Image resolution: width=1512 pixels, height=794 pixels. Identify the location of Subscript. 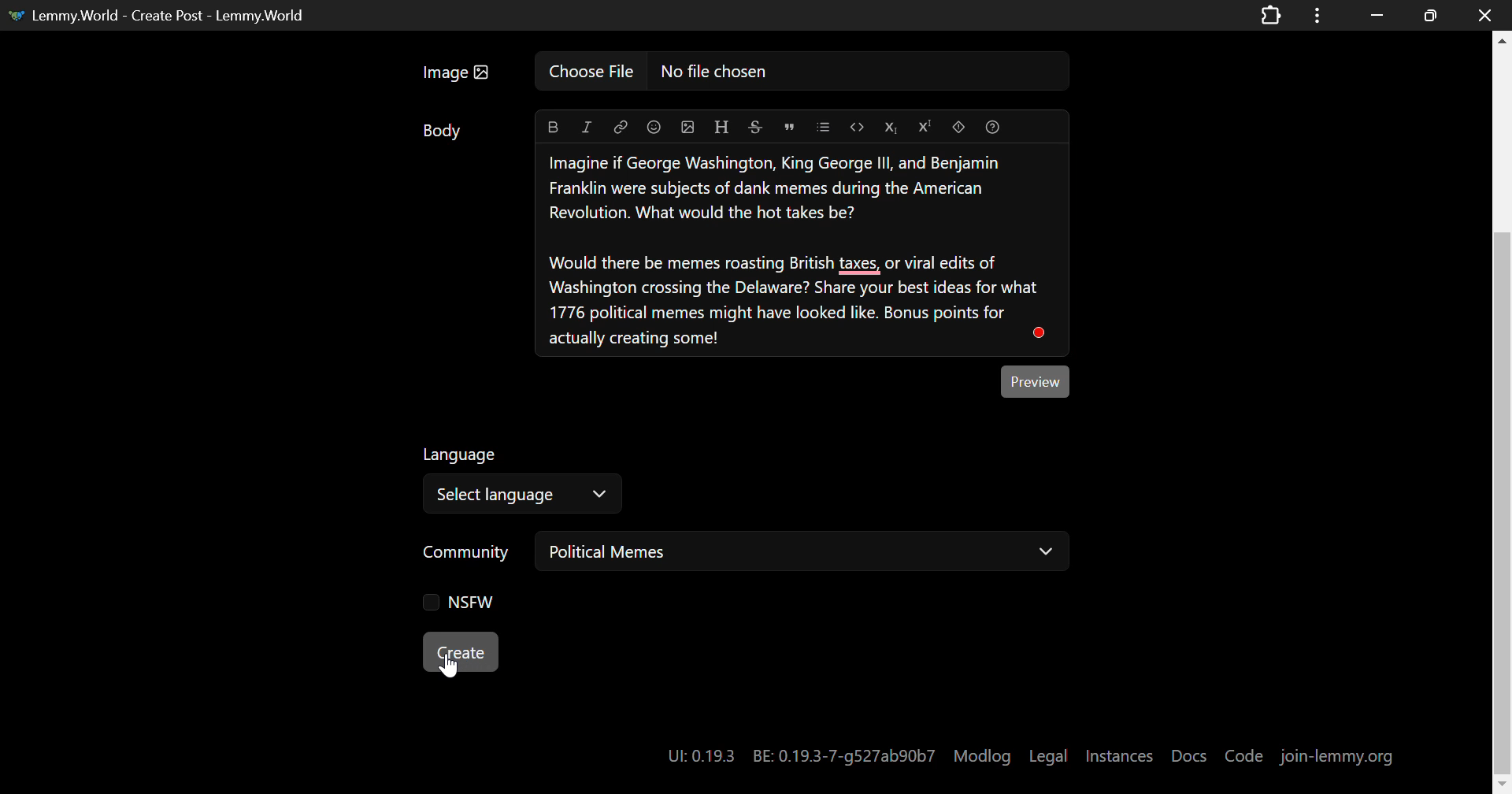
(889, 128).